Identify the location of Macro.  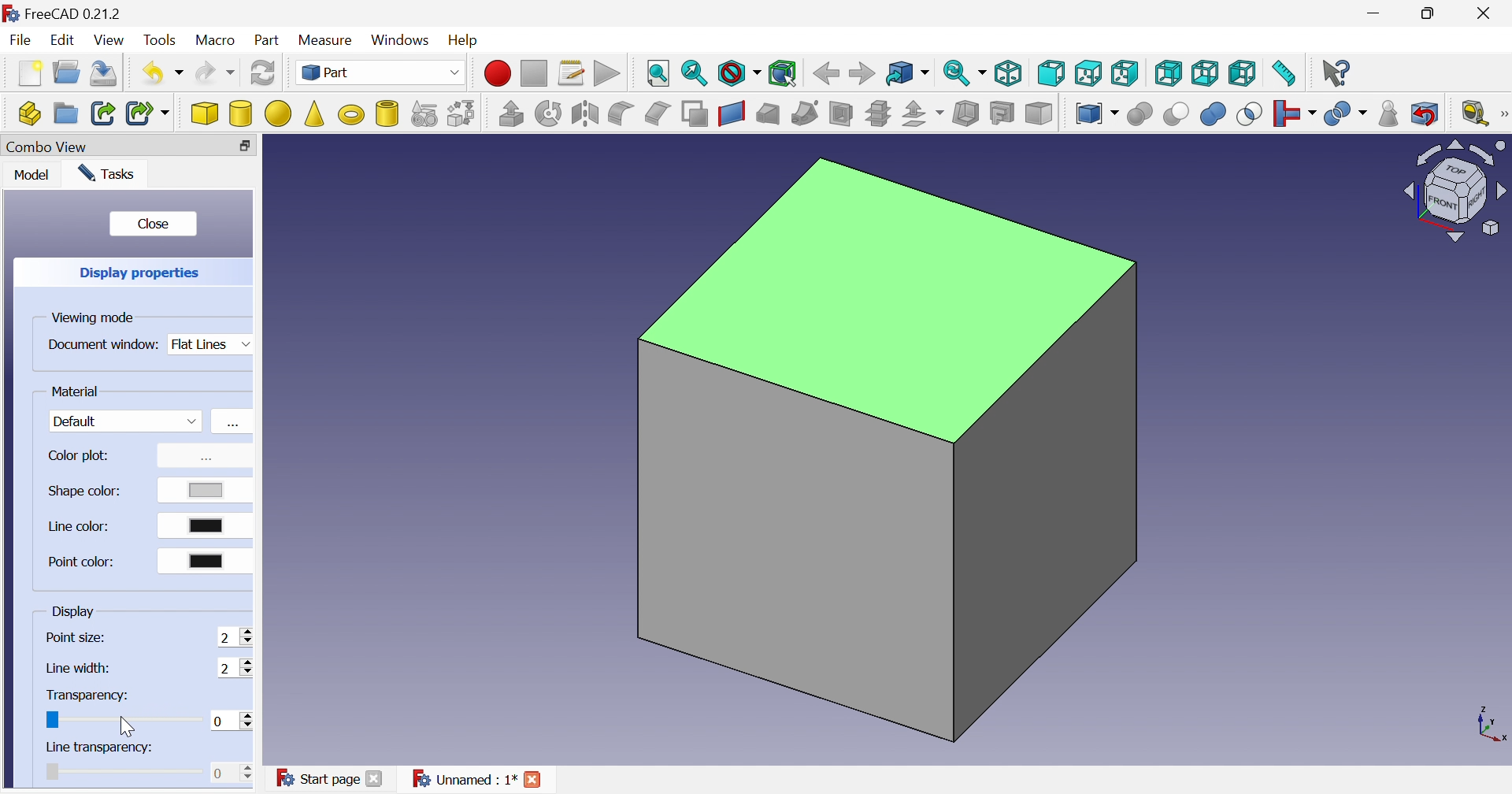
(216, 40).